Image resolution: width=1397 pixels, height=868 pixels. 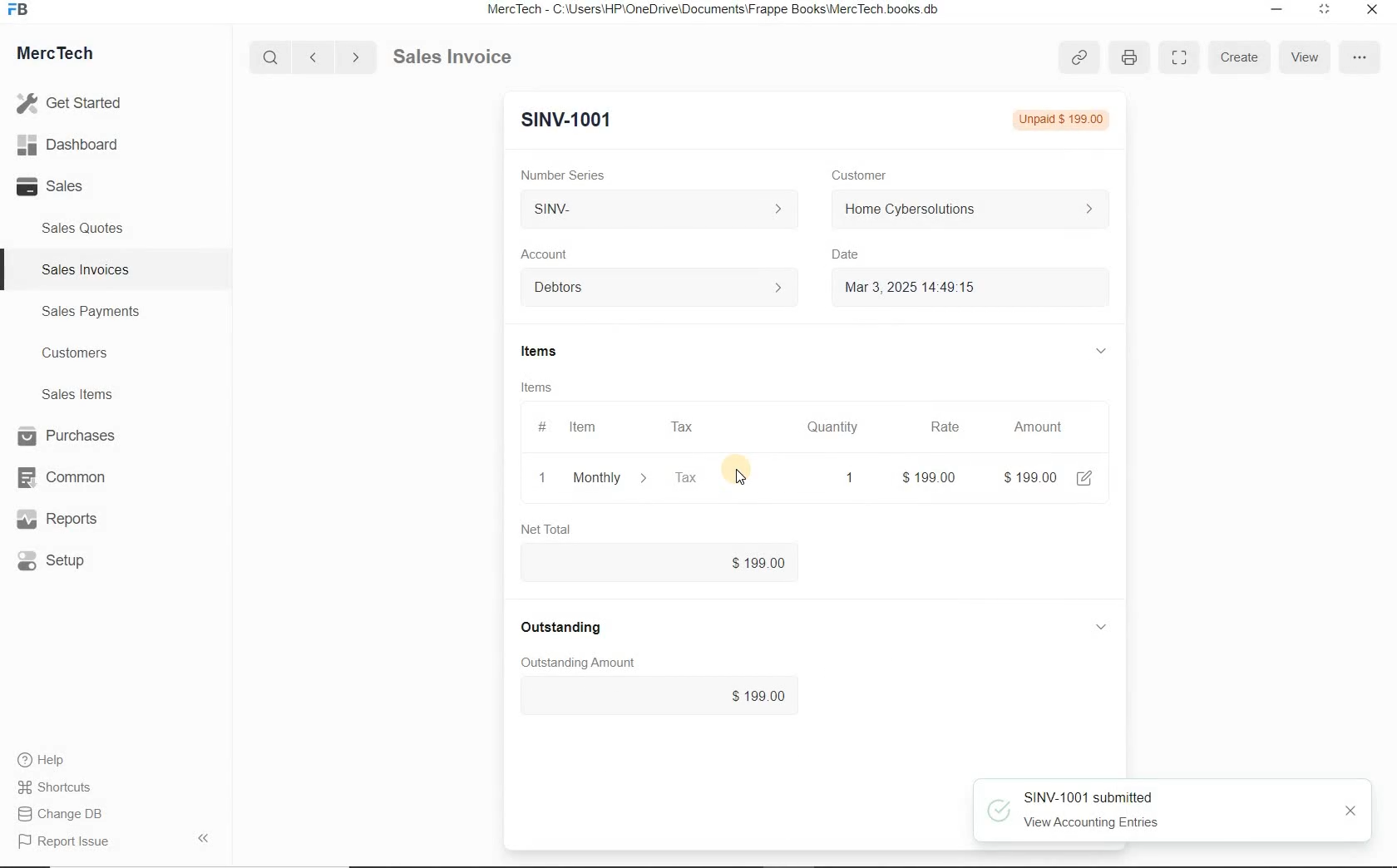 What do you see at coordinates (910, 287) in the screenshot?
I see `Mar 3, 2025 14:49:15` at bounding box center [910, 287].